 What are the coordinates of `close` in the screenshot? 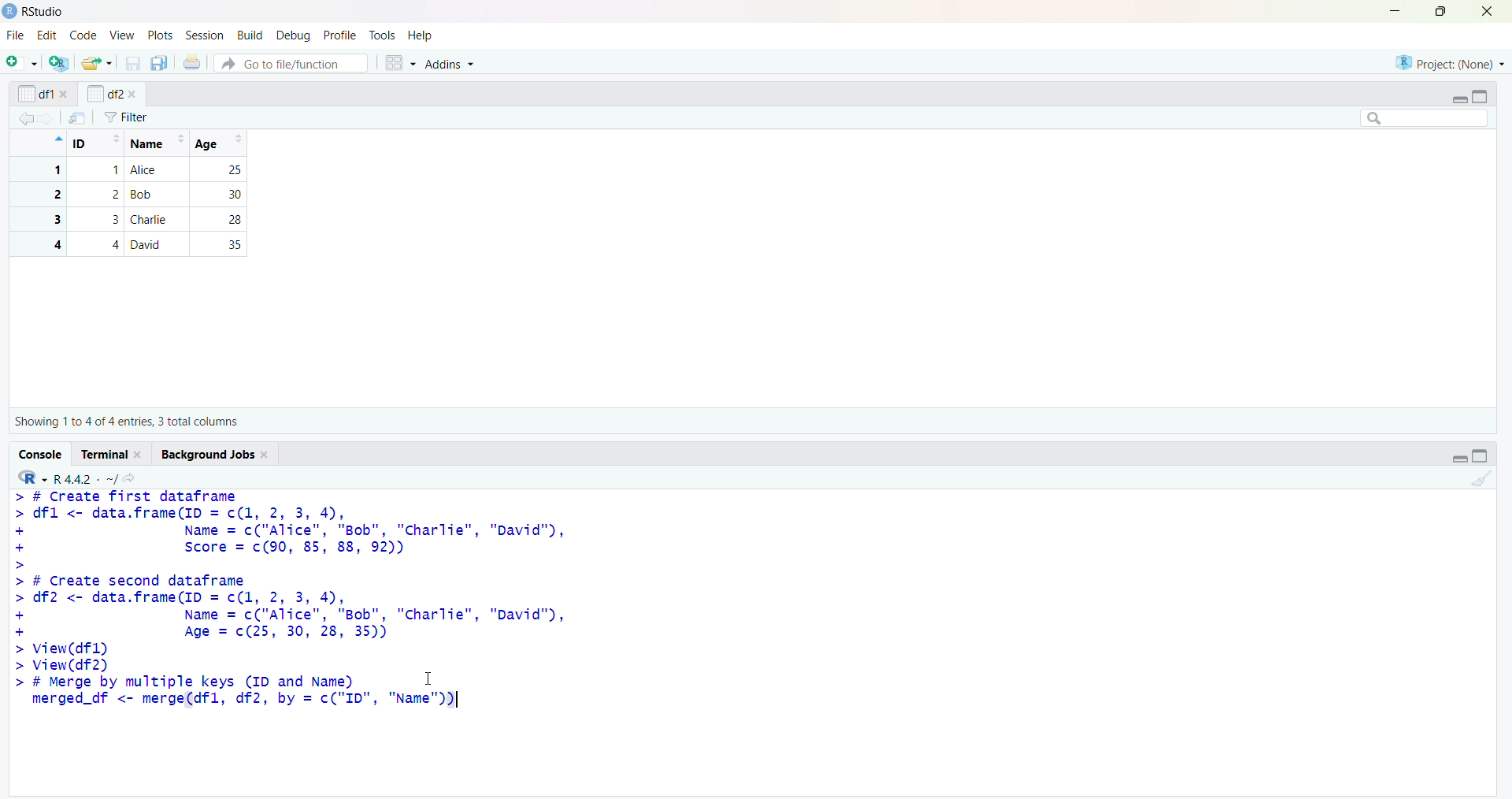 It's located at (65, 94).